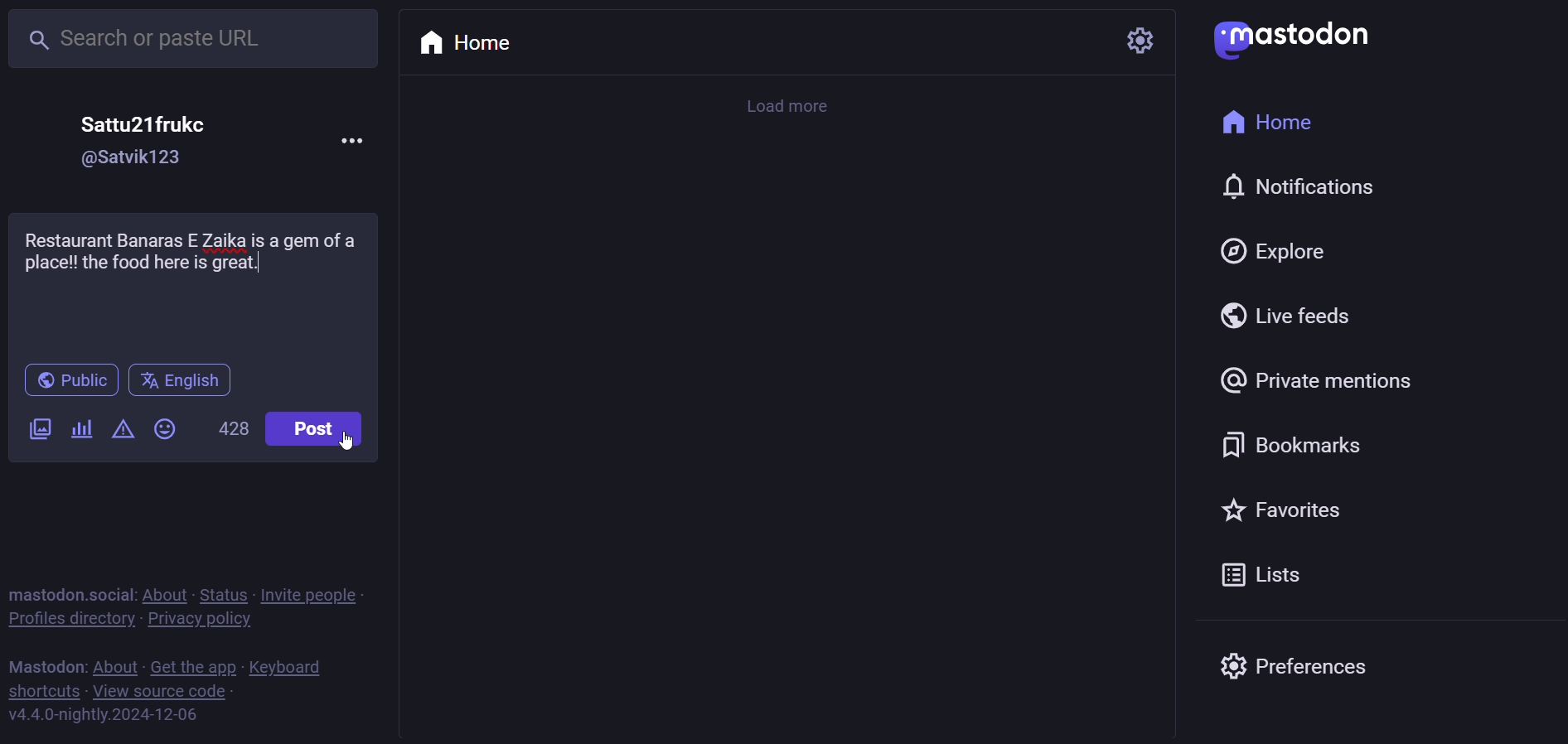 The width and height of the screenshot is (1568, 744). I want to click on version, so click(104, 717).